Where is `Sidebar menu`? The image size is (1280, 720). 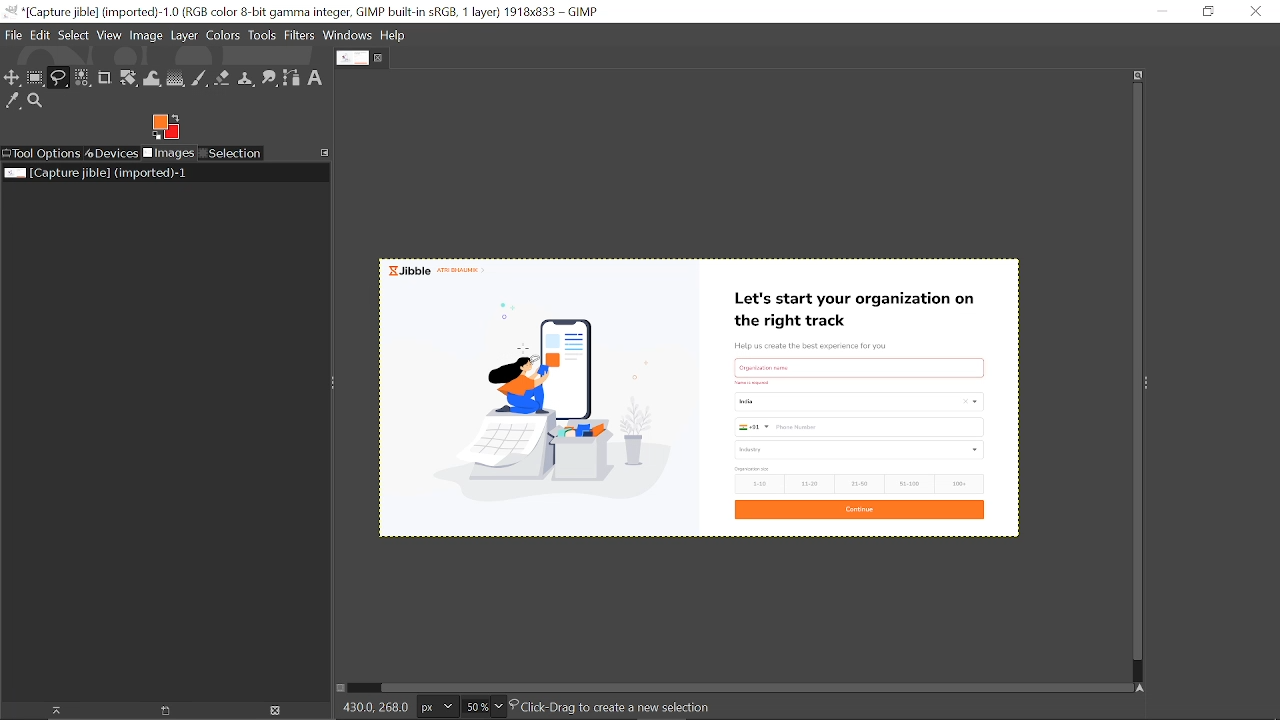
Sidebar menu is located at coordinates (1151, 381).